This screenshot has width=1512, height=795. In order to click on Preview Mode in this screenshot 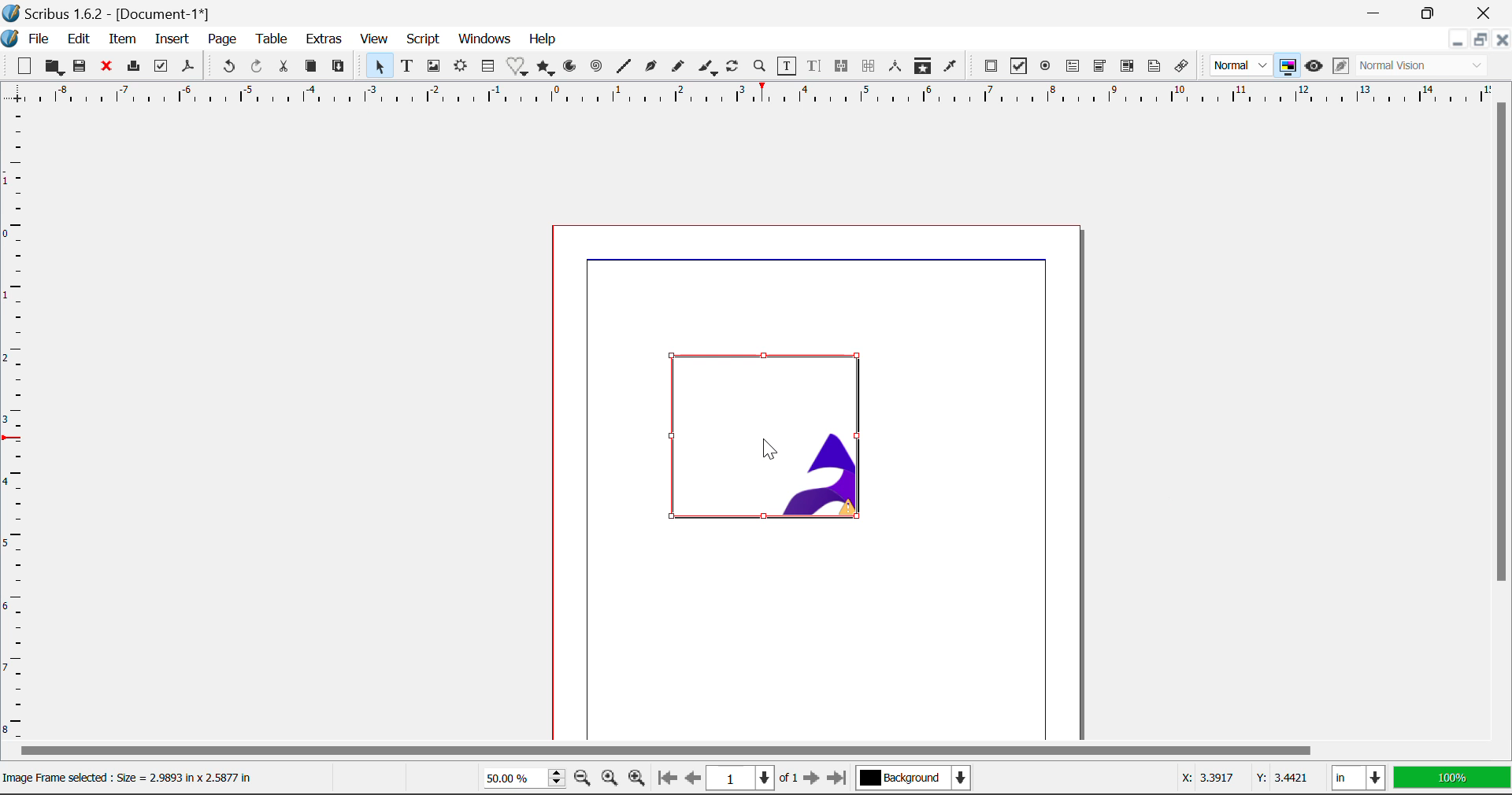, I will do `click(1314, 66)`.